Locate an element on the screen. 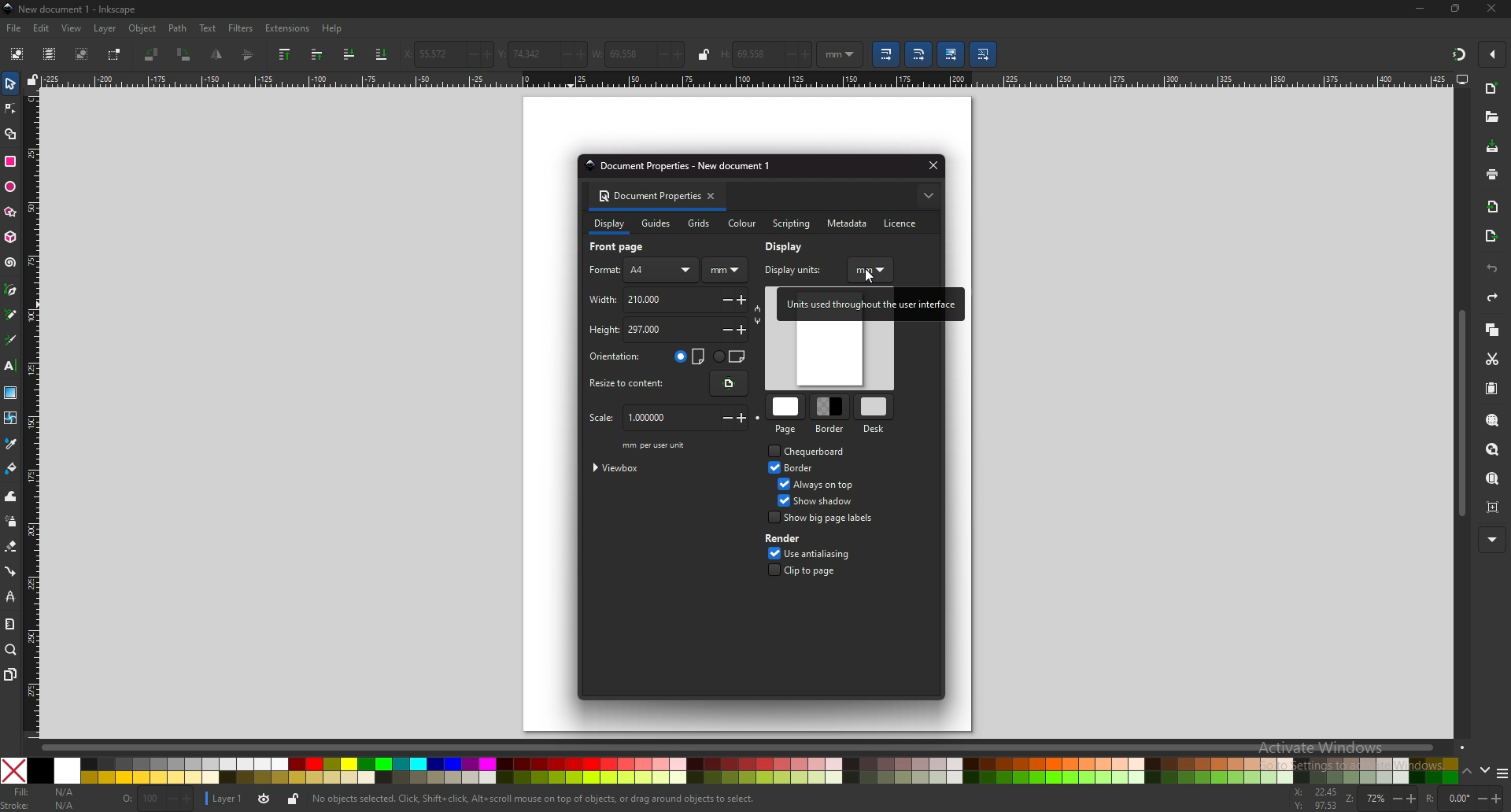  display is located at coordinates (789, 246).